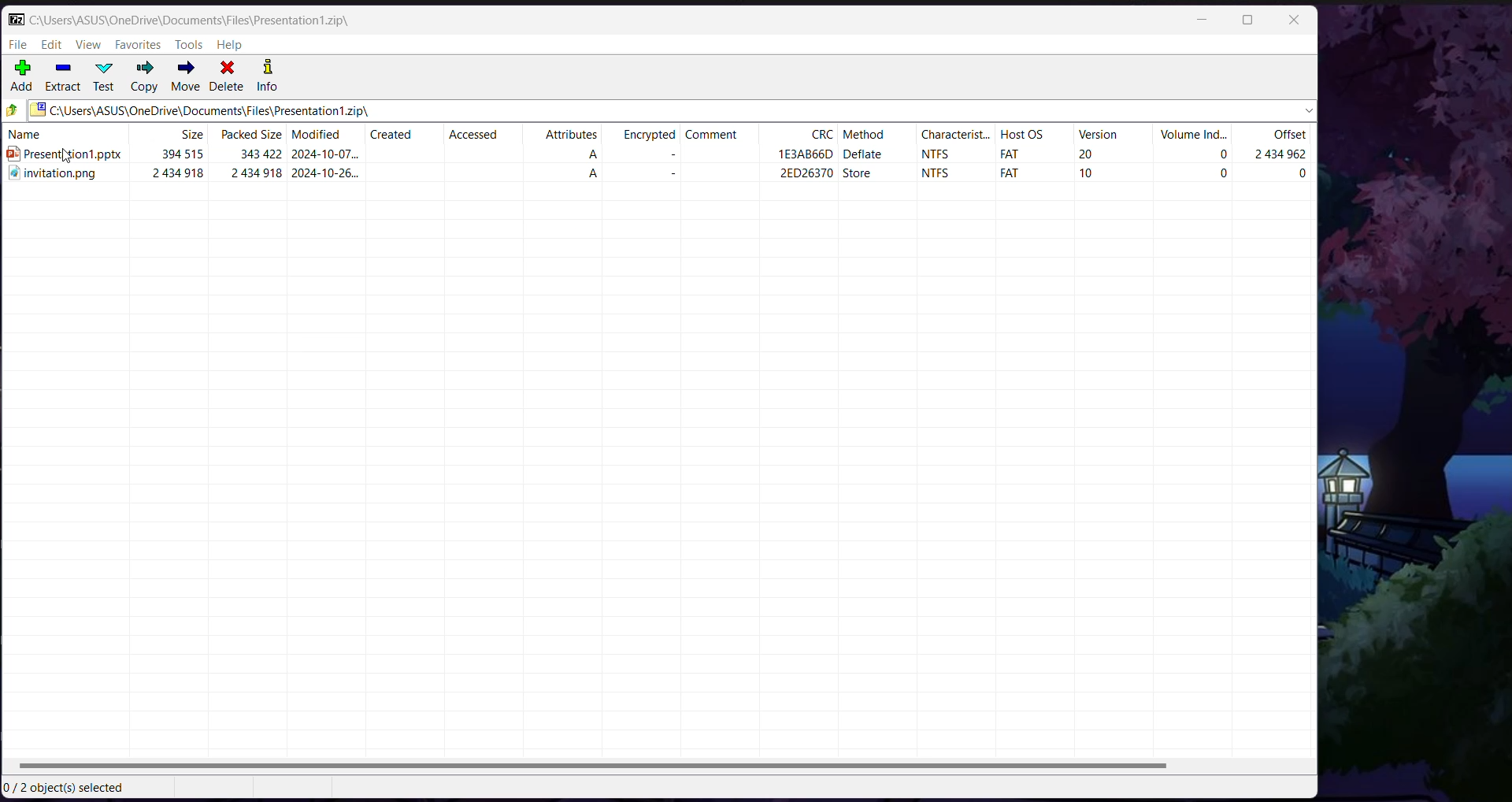 This screenshot has height=802, width=1512. I want to click on Copy, so click(144, 76).